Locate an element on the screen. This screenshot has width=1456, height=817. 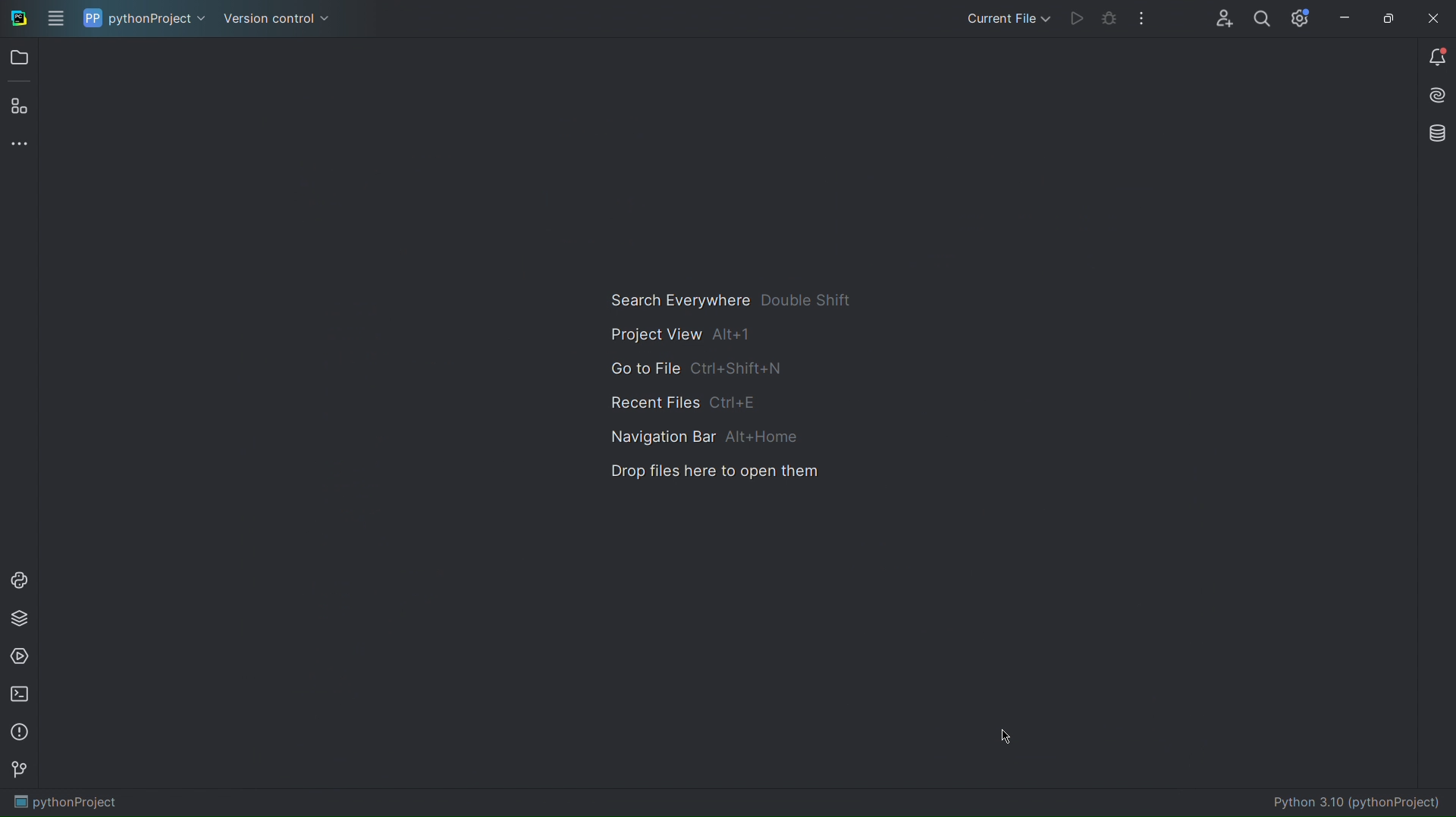
Go to File is located at coordinates (698, 369).